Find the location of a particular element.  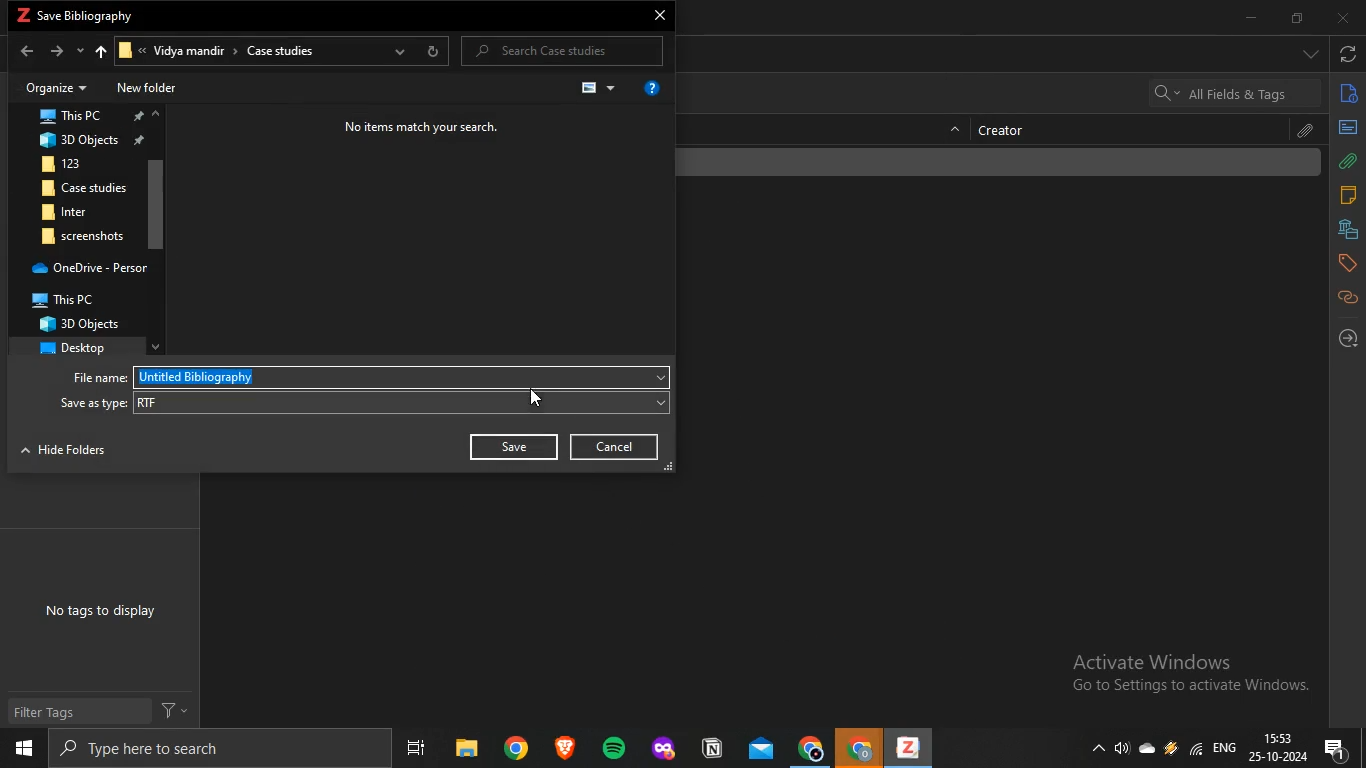

Organize + is located at coordinates (57, 87).